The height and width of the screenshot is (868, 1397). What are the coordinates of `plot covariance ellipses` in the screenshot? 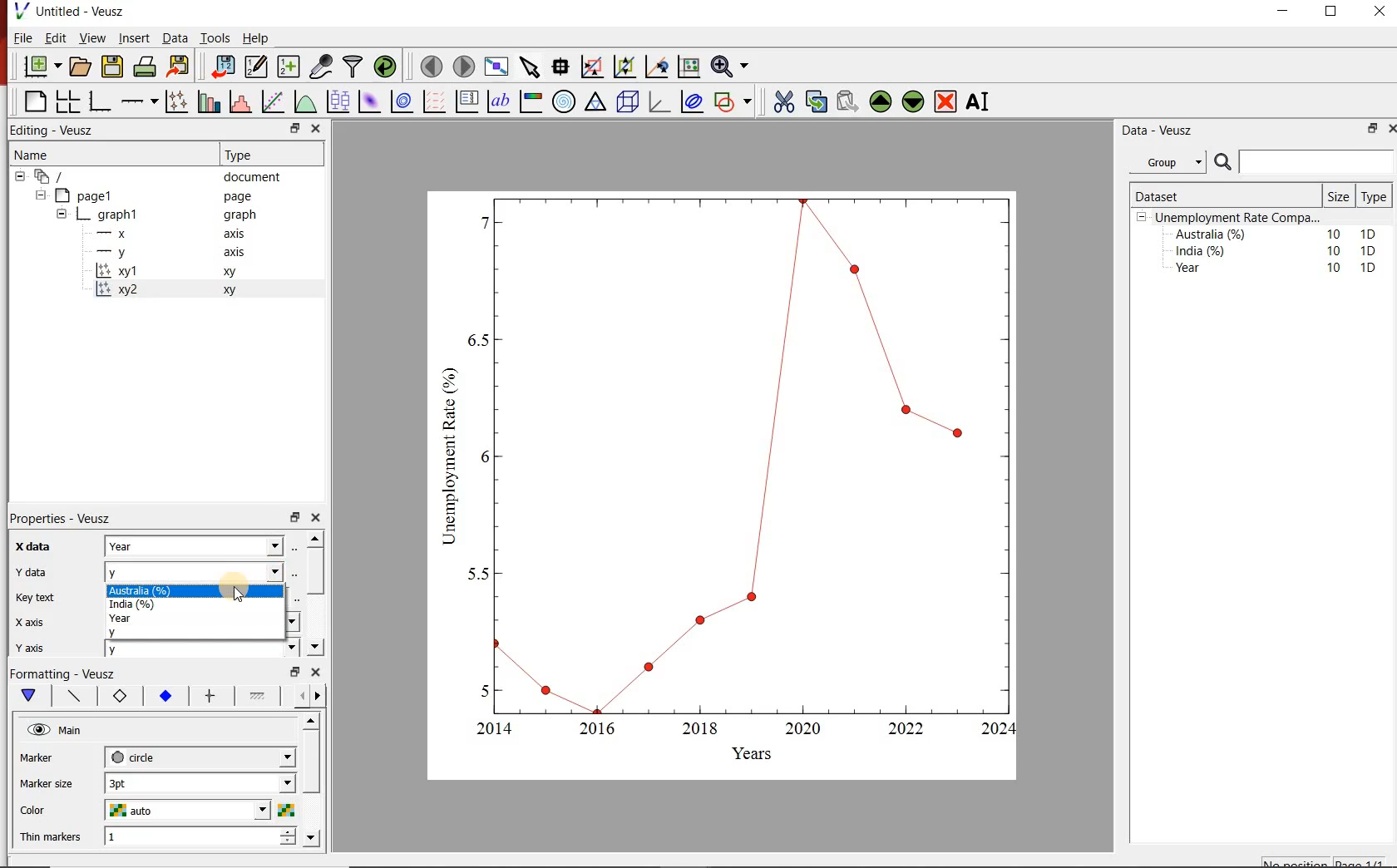 It's located at (693, 101).